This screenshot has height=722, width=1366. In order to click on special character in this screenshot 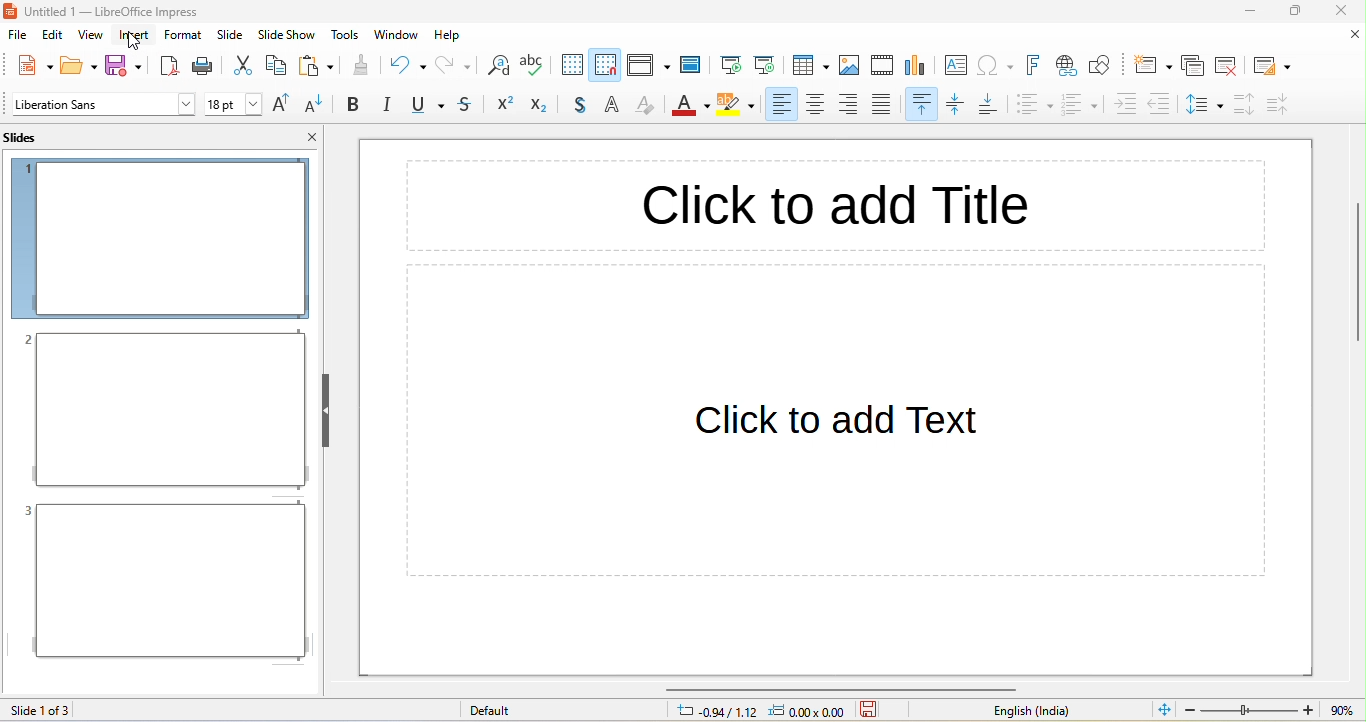, I will do `click(999, 65)`.